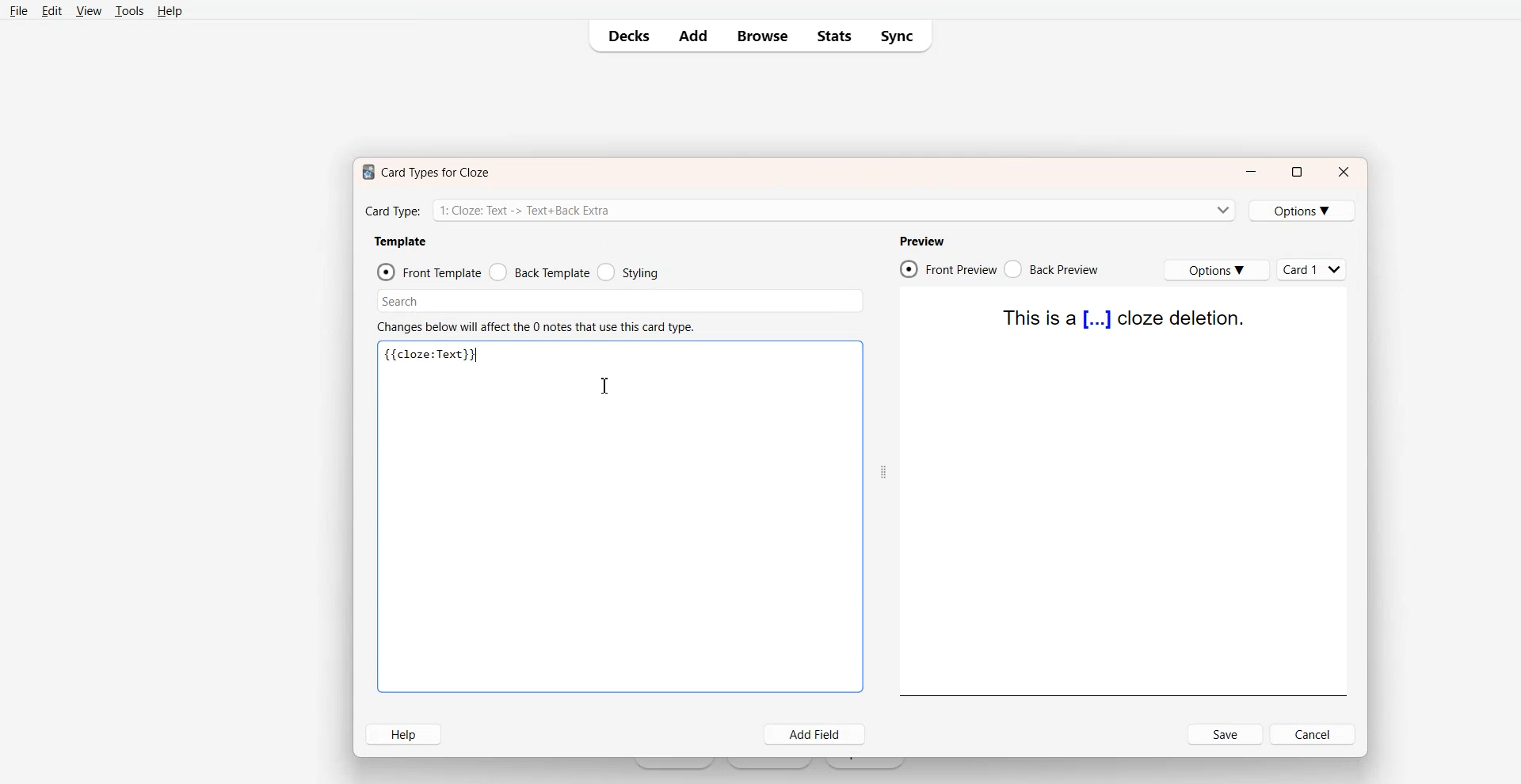  I want to click on Front Template, so click(429, 272).